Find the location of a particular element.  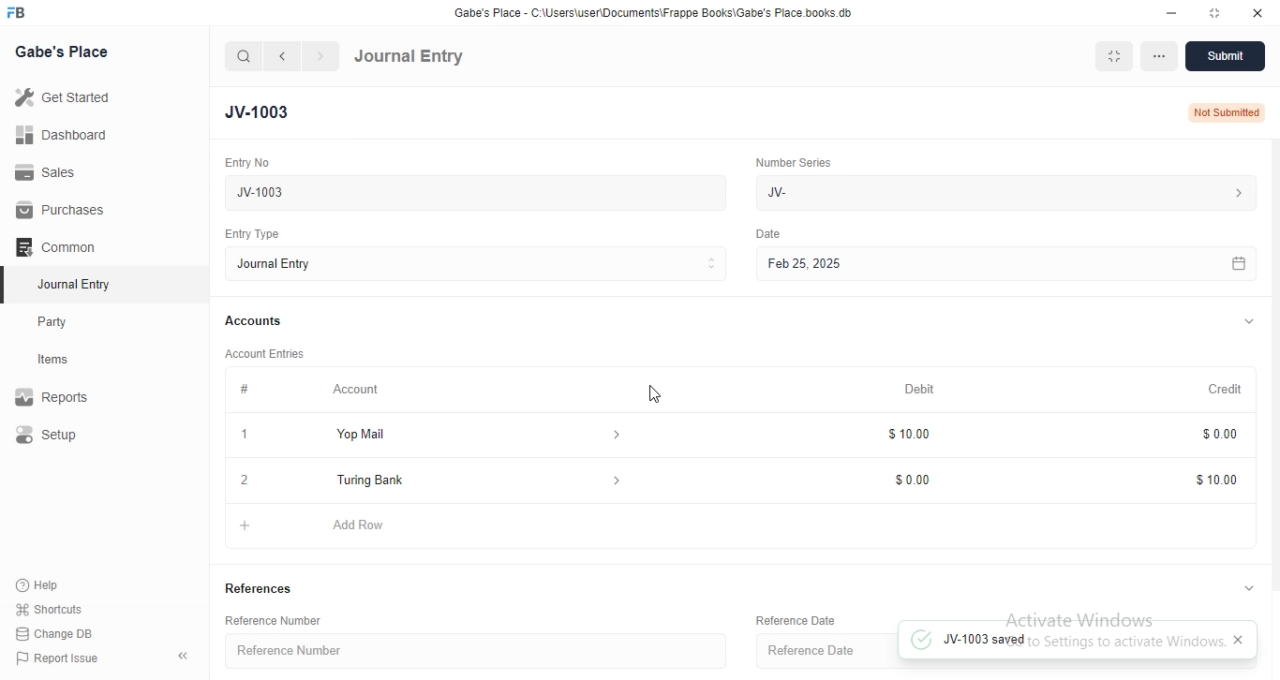

Credit is located at coordinates (1216, 389).